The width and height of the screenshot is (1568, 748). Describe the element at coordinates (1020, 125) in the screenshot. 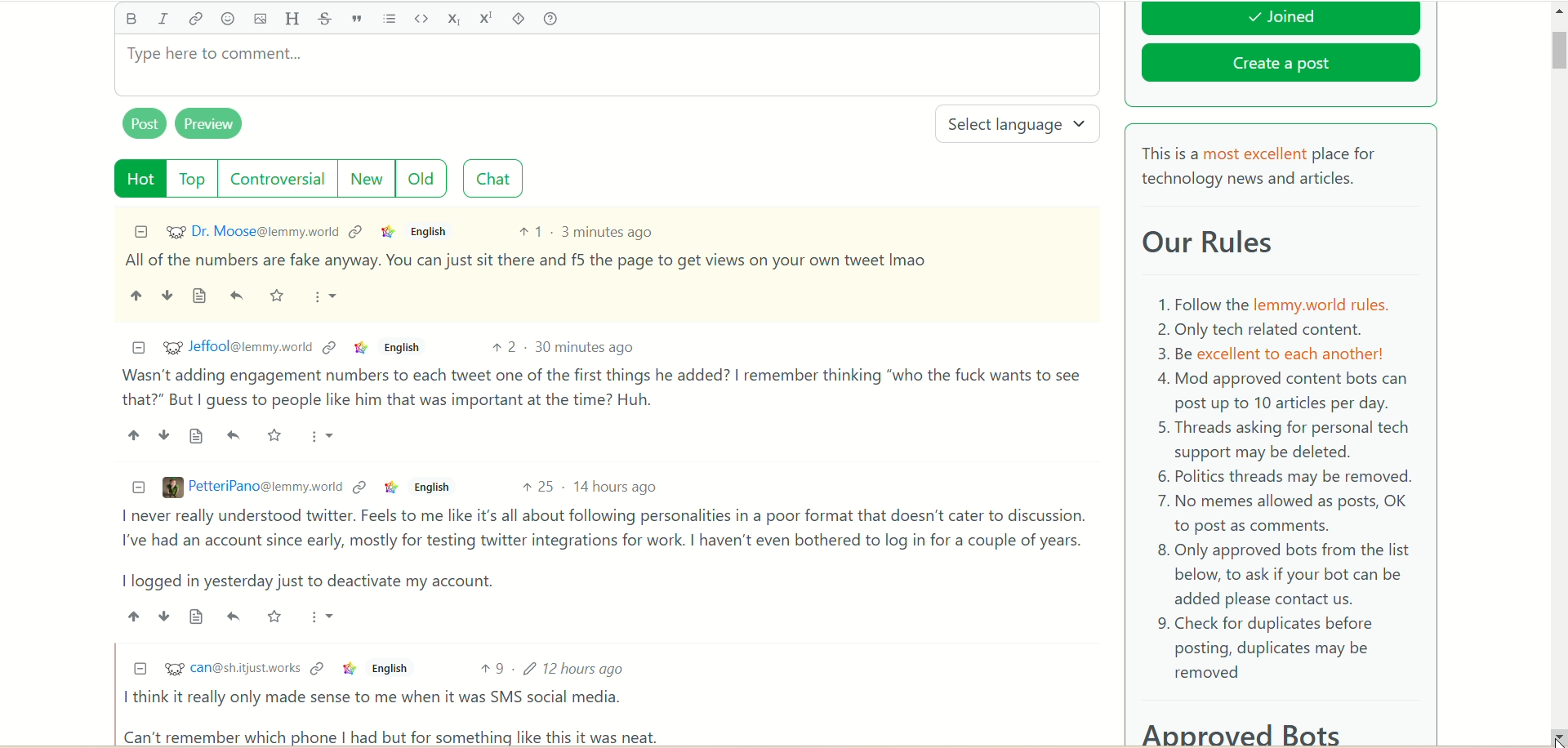

I see `select language` at that location.